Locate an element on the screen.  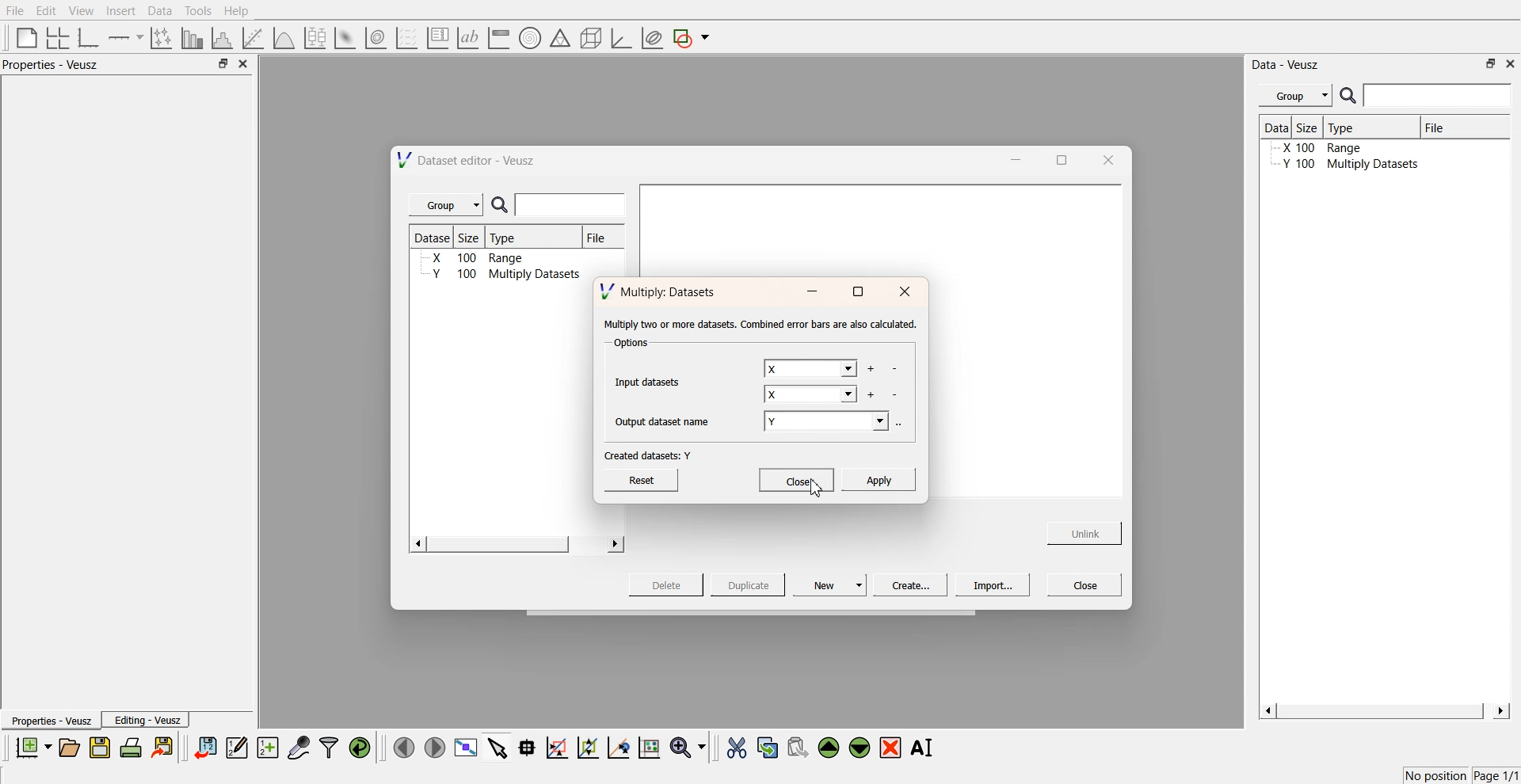
Help is located at coordinates (242, 13).